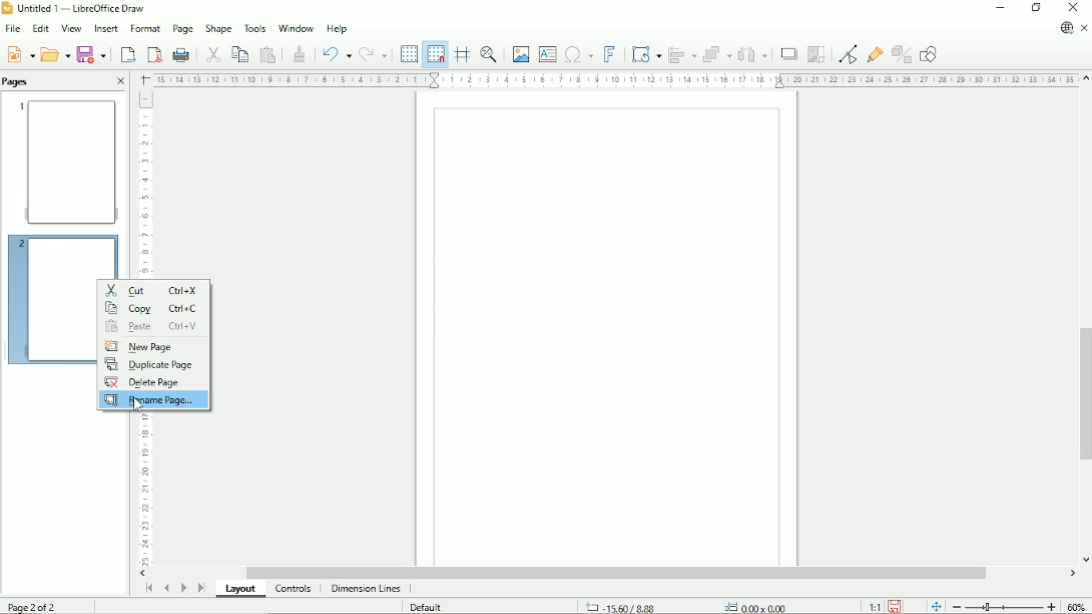 The width and height of the screenshot is (1092, 614). Describe the element at coordinates (77, 9) in the screenshot. I see `Title` at that location.